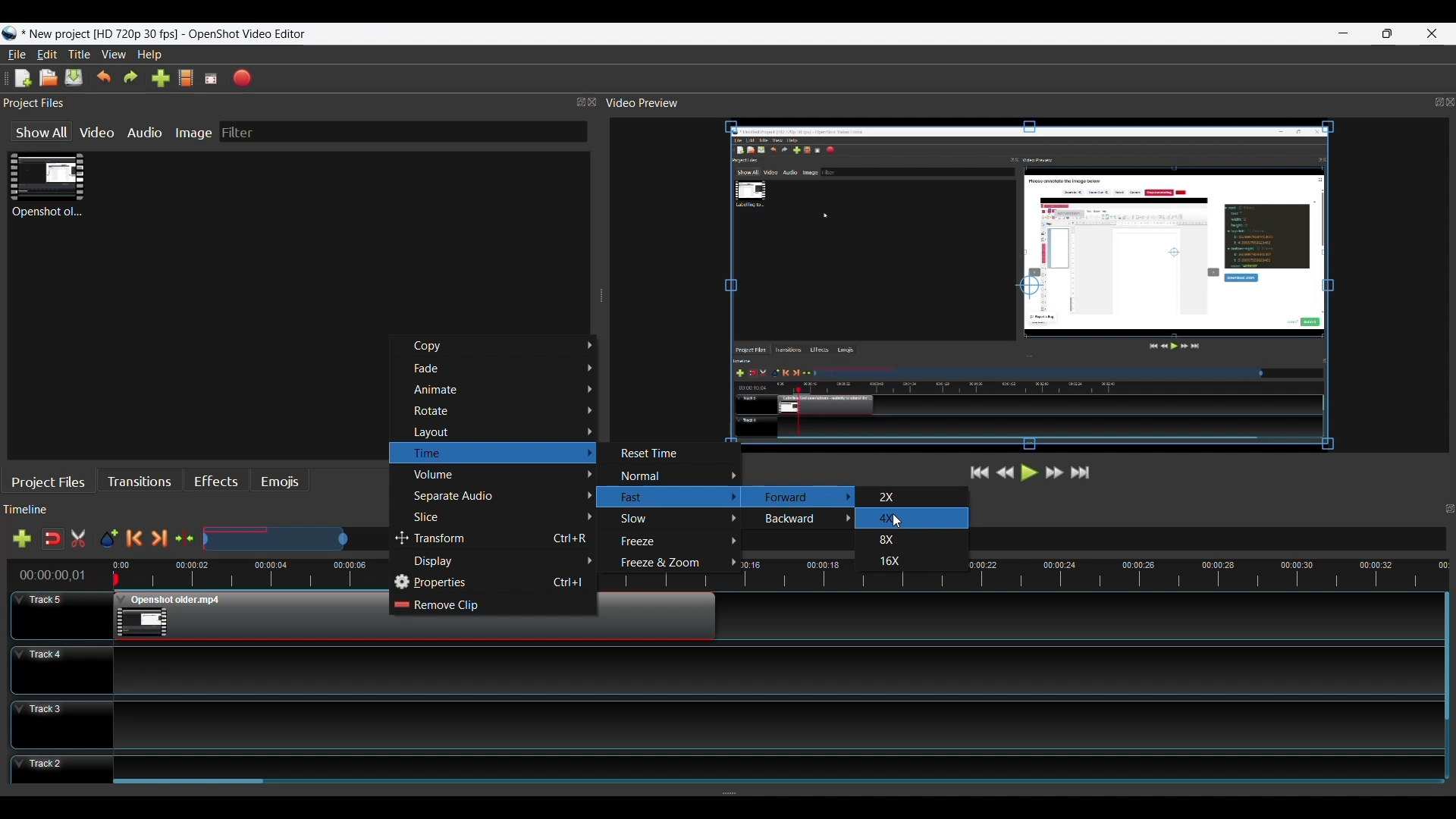 Image resolution: width=1456 pixels, height=819 pixels. I want to click on Add Marker, so click(108, 540).